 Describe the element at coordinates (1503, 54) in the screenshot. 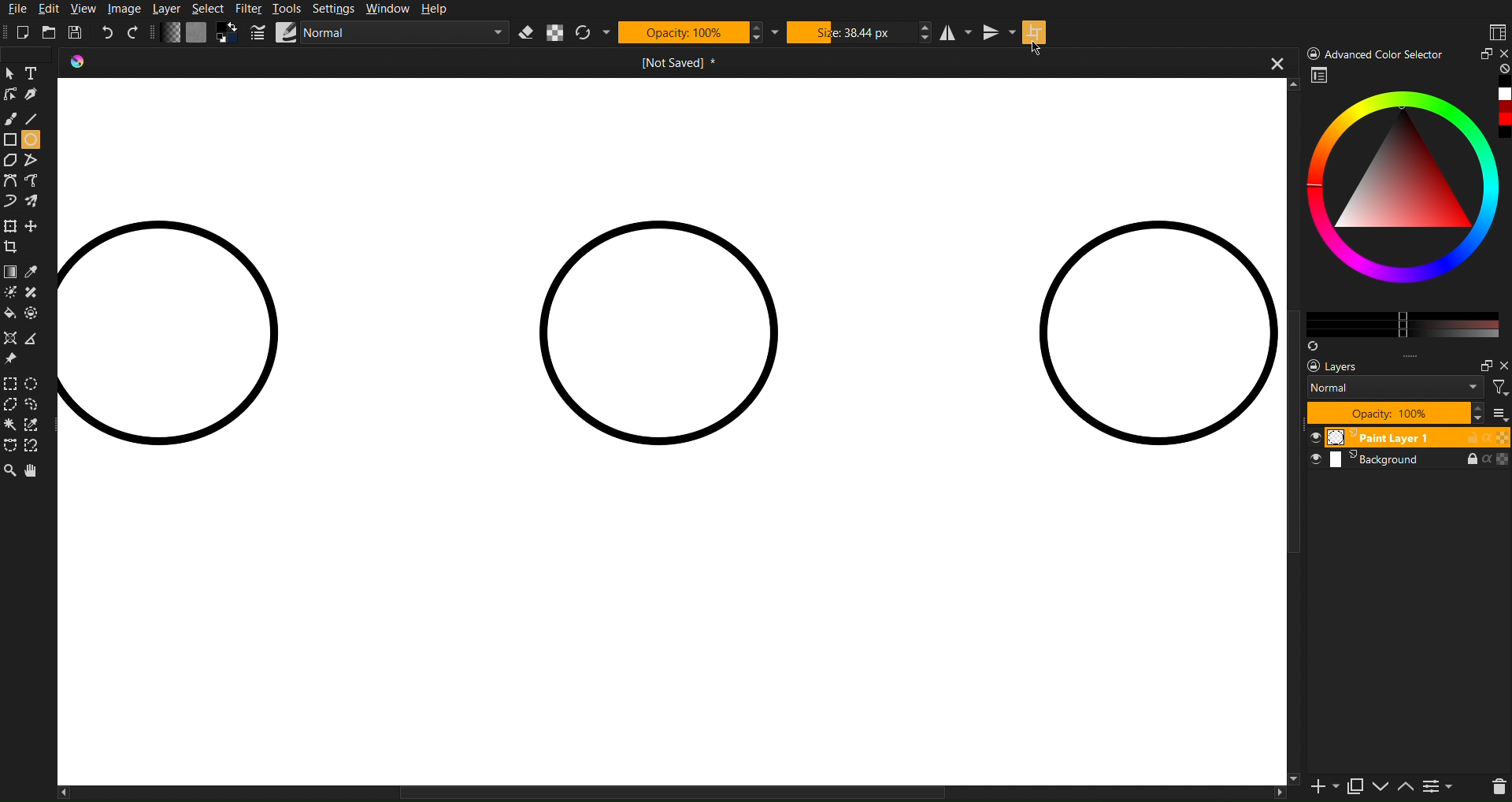

I see `close` at that location.